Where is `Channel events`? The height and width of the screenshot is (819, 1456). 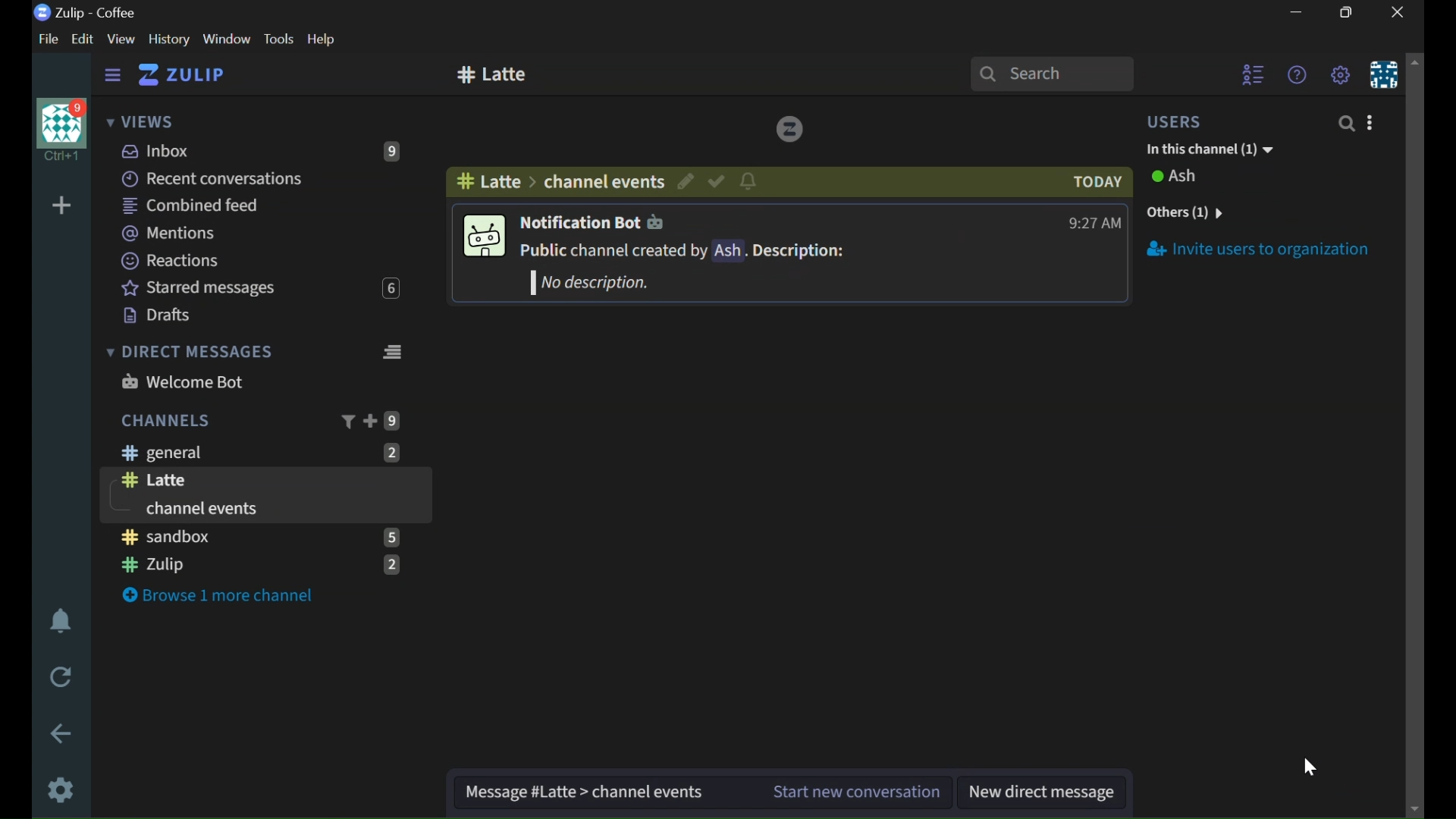 Channel events is located at coordinates (205, 510).